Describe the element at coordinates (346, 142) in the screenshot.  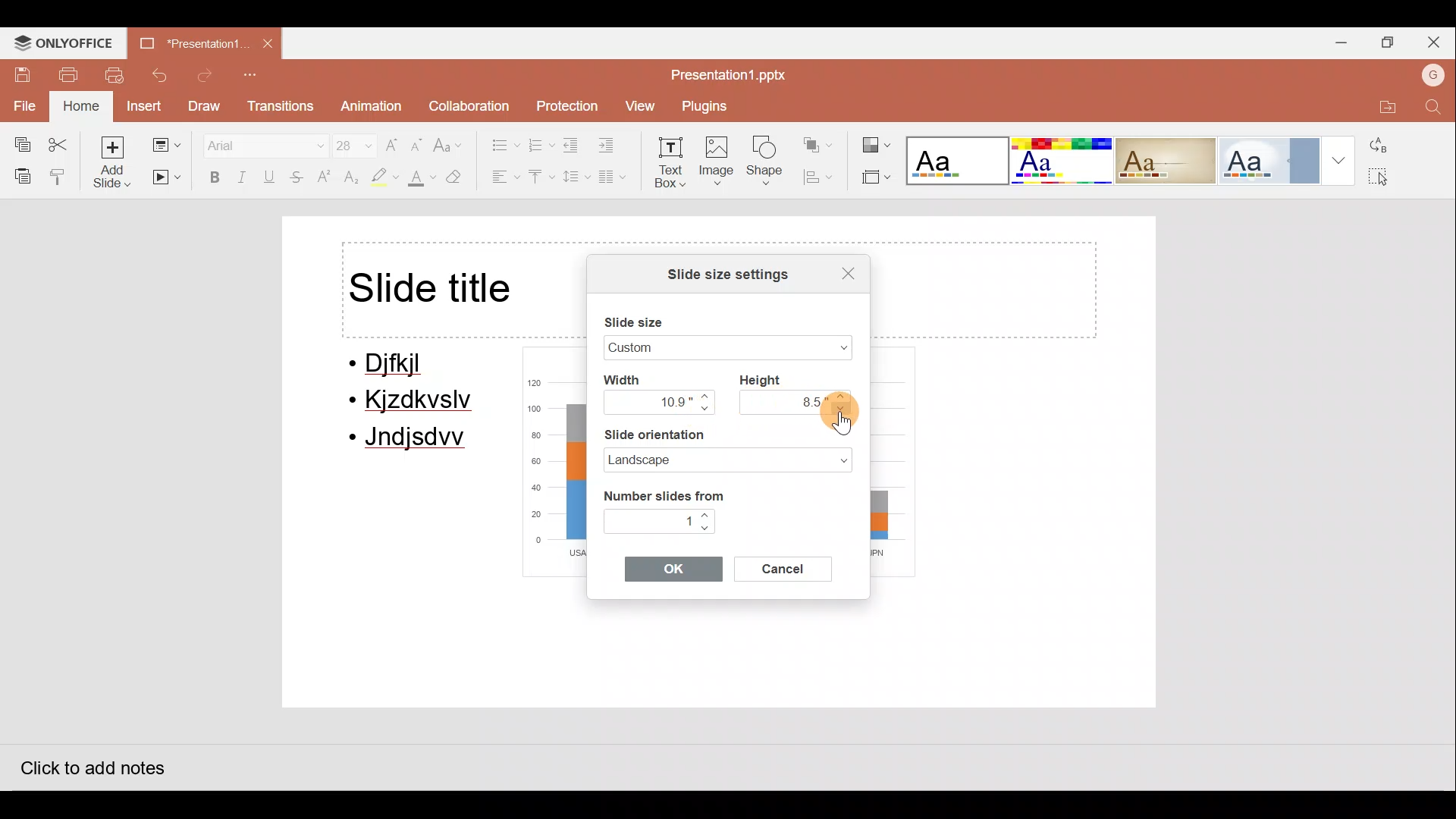
I see `Font size` at that location.